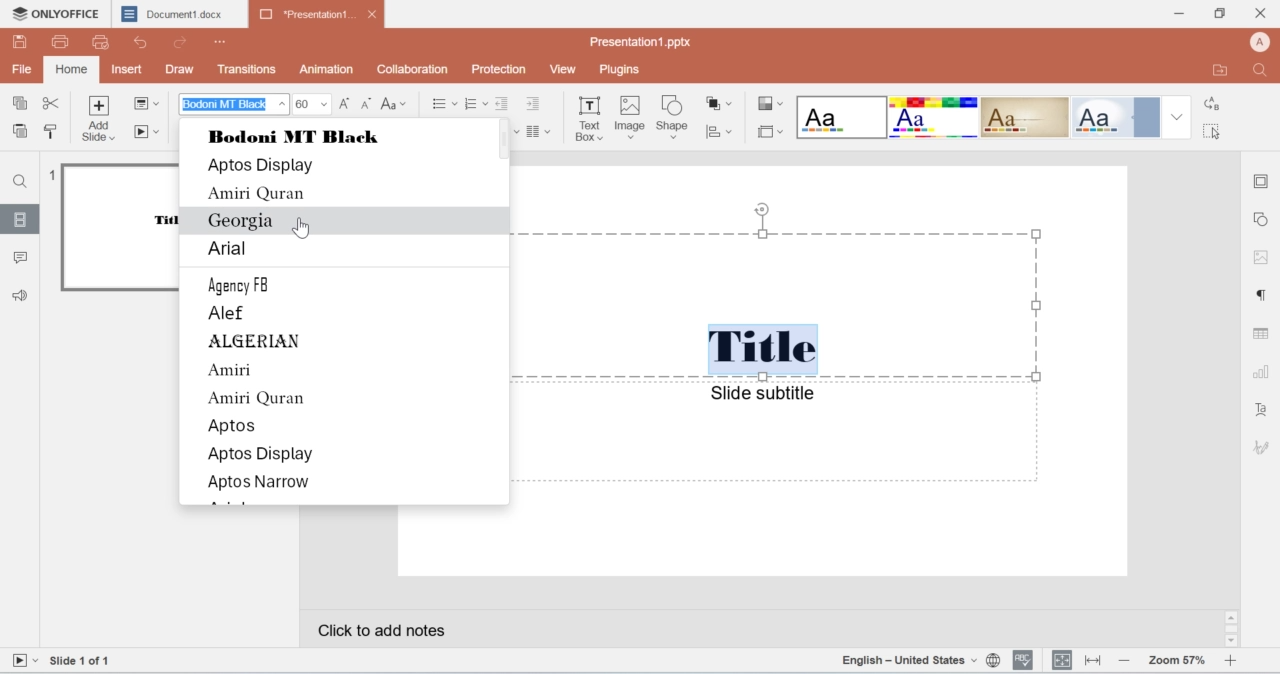 The height and width of the screenshot is (674, 1280). Describe the element at coordinates (1124, 662) in the screenshot. I see `decrease` at that location.